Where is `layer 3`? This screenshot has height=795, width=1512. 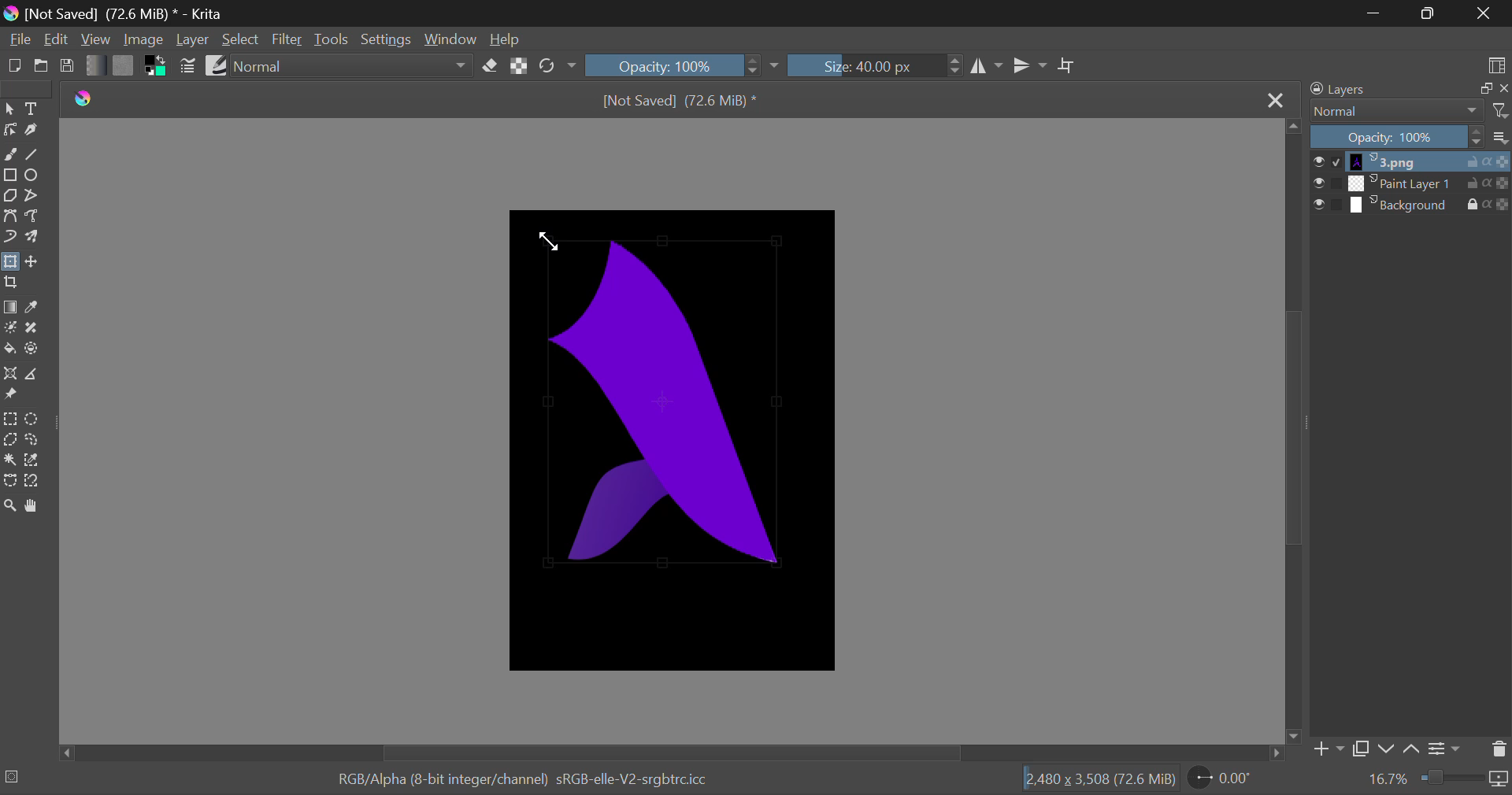
layer 3 is located at coordinates (1401, 203).